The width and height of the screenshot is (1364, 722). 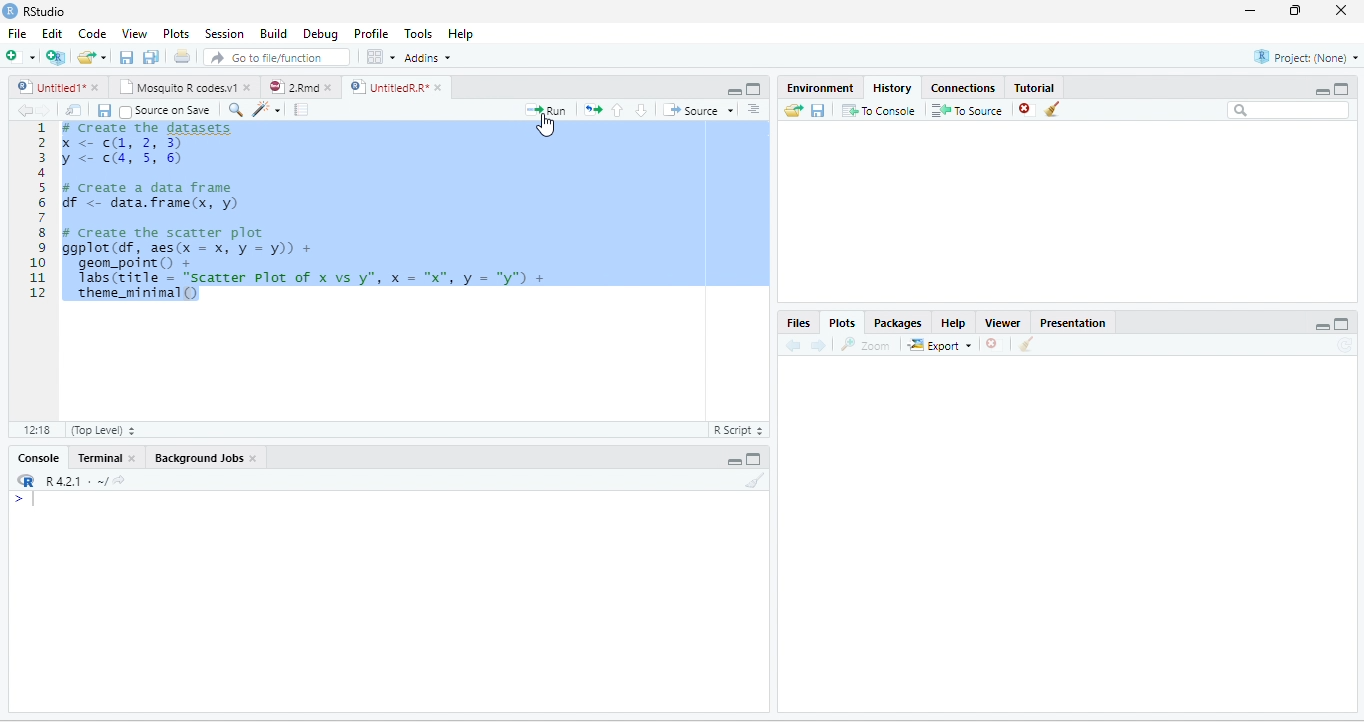 What do you see at coordinates (176, 87) in the screenshot?
I see `Mosquito R codes.v1` at bounding box center [176, 87].